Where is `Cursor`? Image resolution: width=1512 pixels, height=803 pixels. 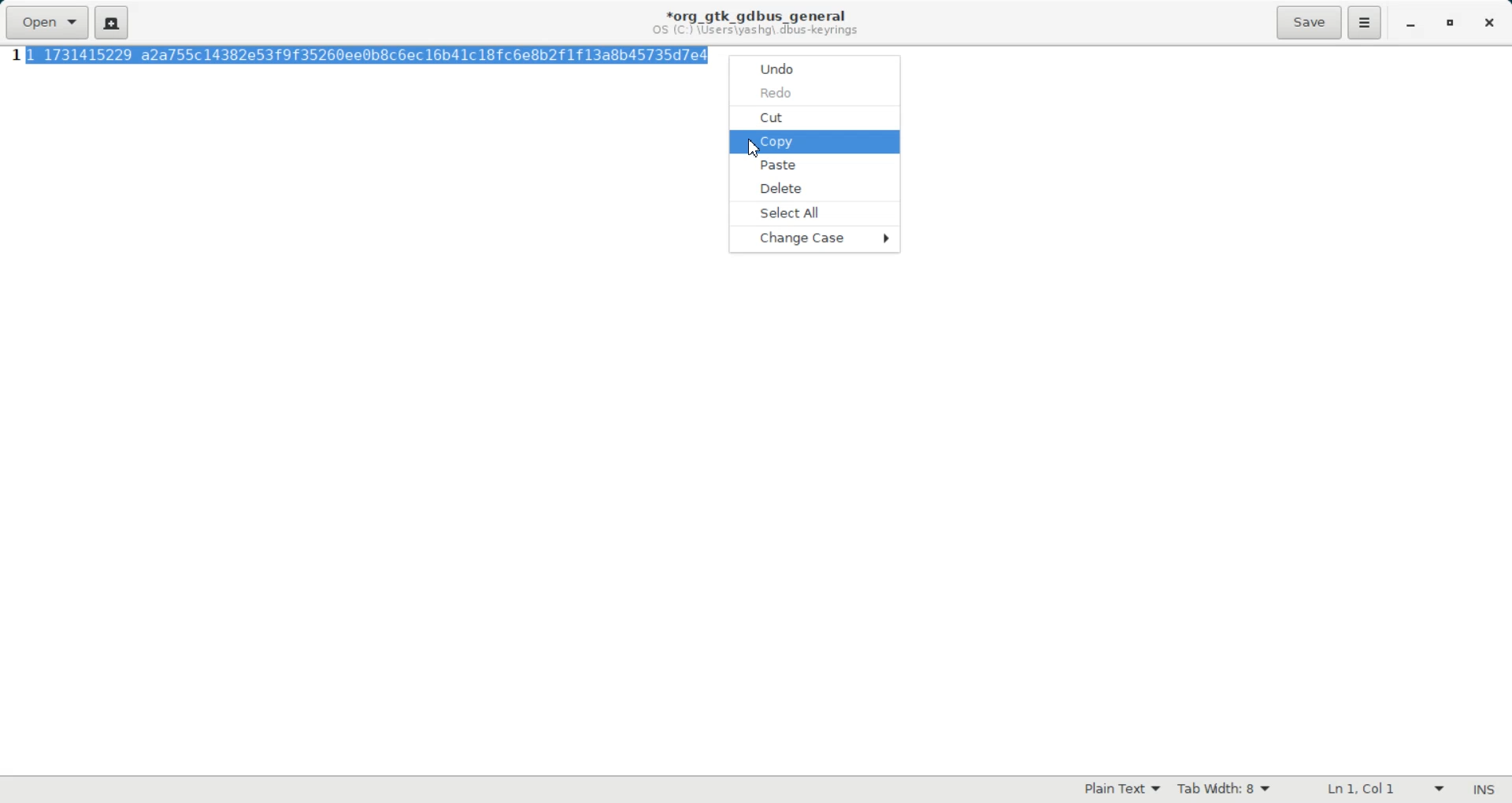 Cursor is located at coordinates (753, 148).